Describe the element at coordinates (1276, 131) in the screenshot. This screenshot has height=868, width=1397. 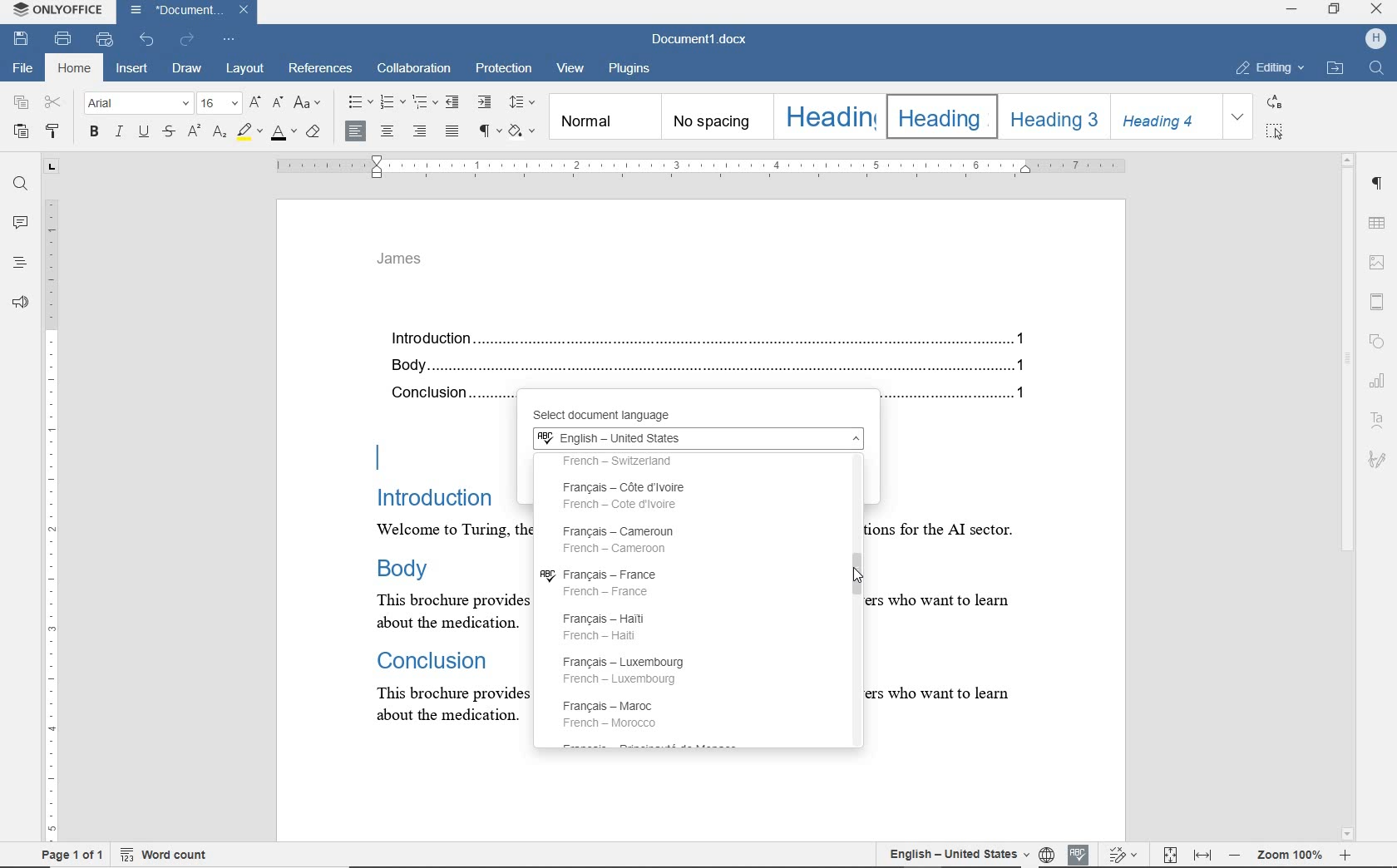
I see `SELECT ALL` at that location.